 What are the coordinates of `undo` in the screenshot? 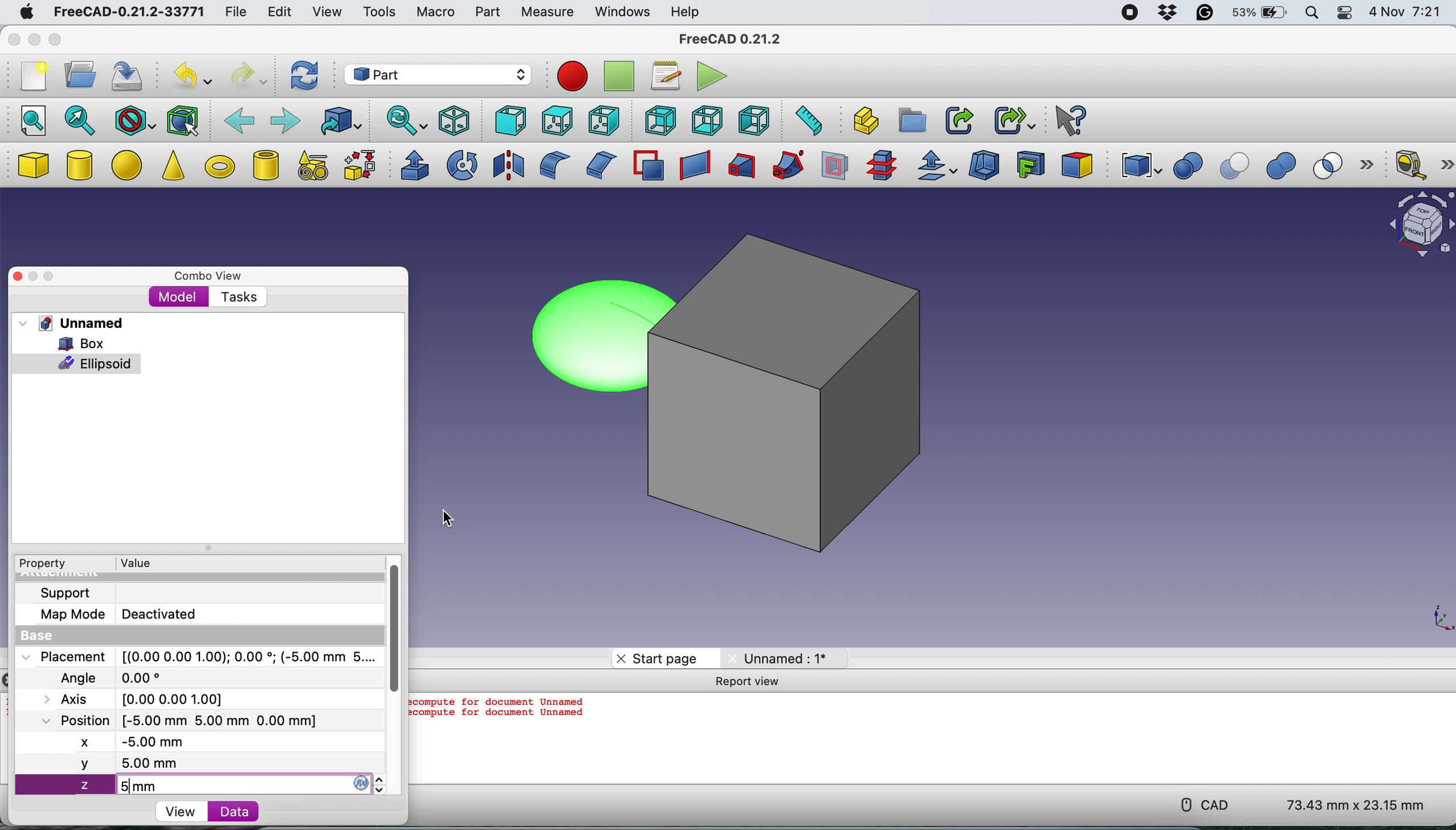 It's located at (189, 76).